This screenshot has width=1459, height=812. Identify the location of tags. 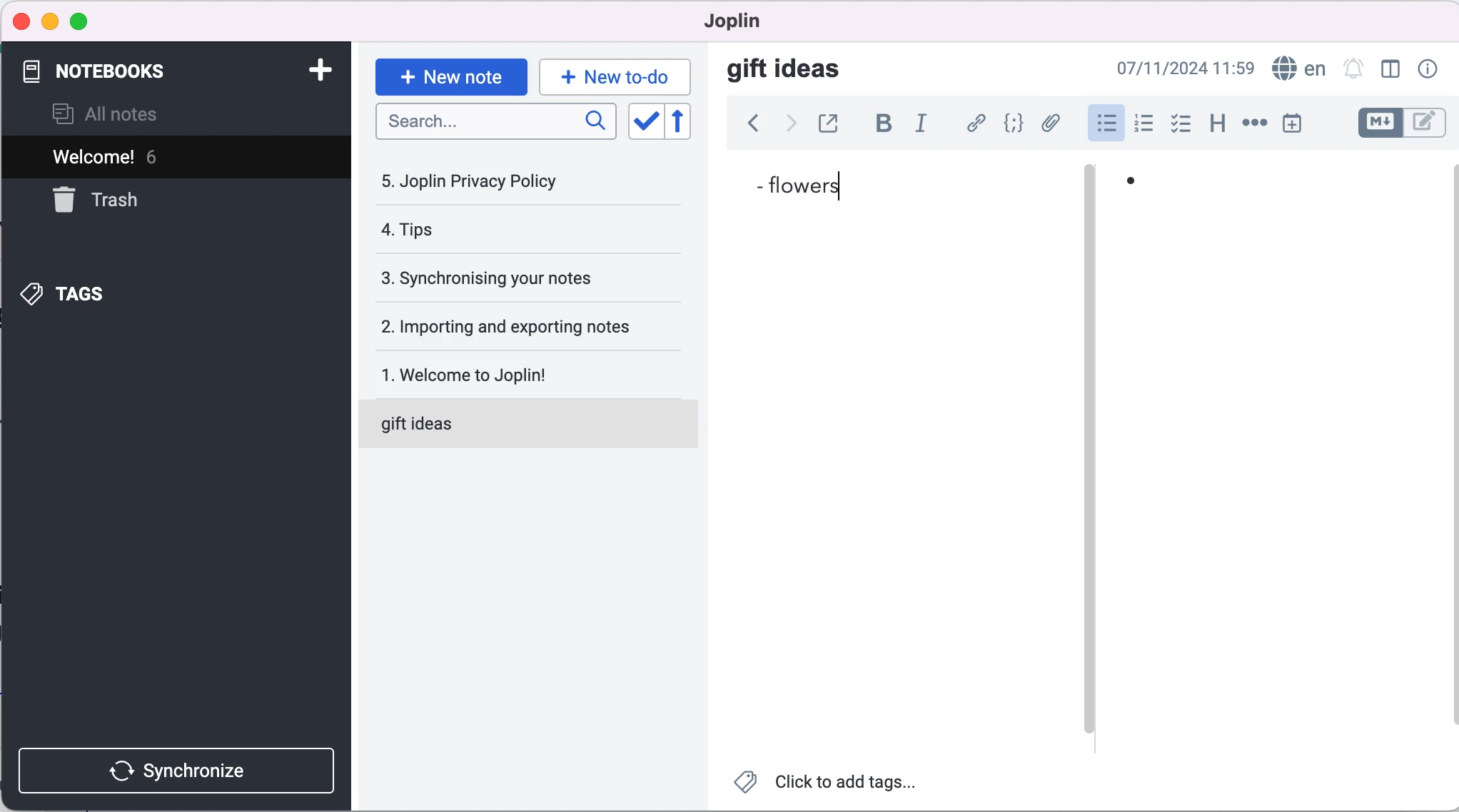
(78, 293).